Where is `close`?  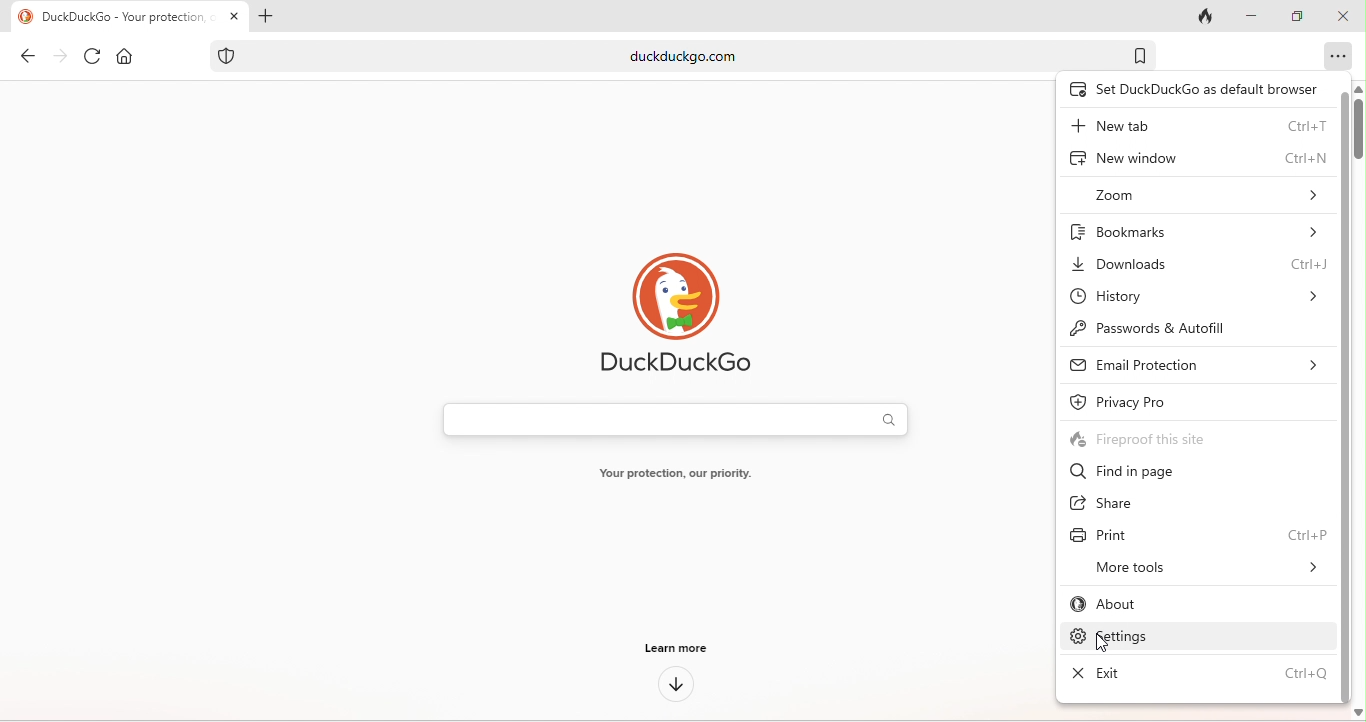 close is located at coordinates (1342, 15).